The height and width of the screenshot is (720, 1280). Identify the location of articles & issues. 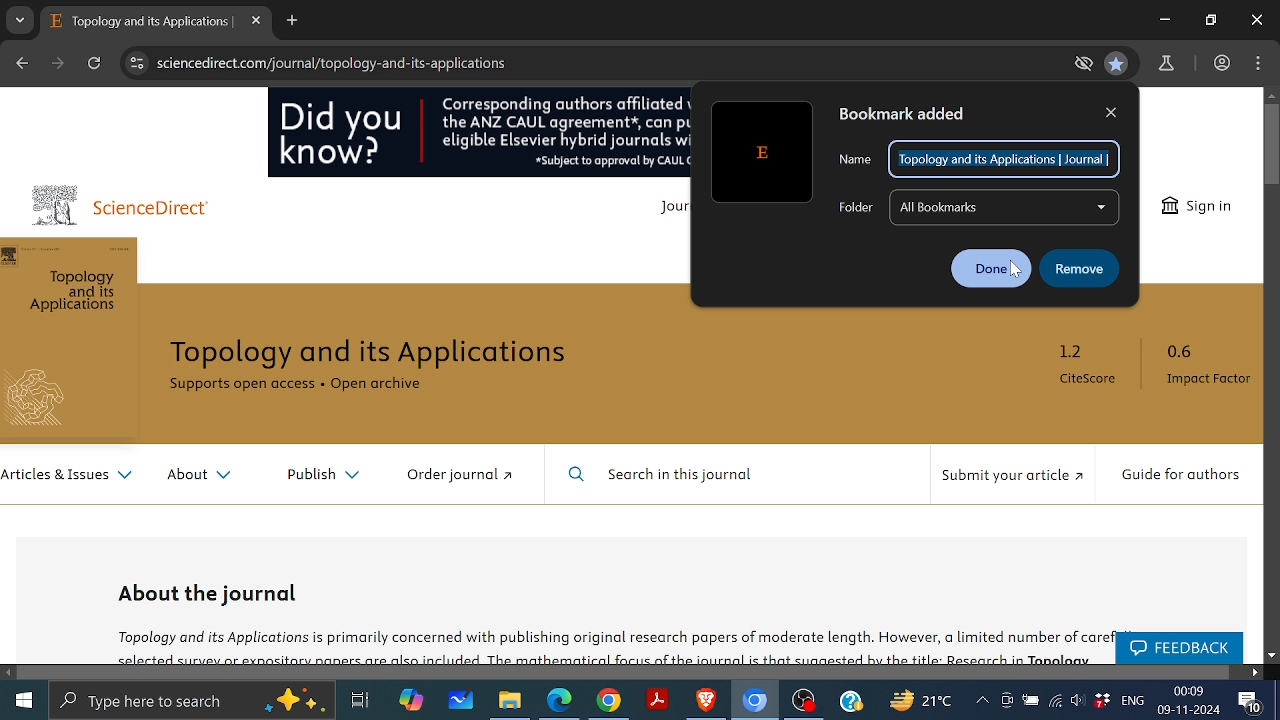
(67, 479).